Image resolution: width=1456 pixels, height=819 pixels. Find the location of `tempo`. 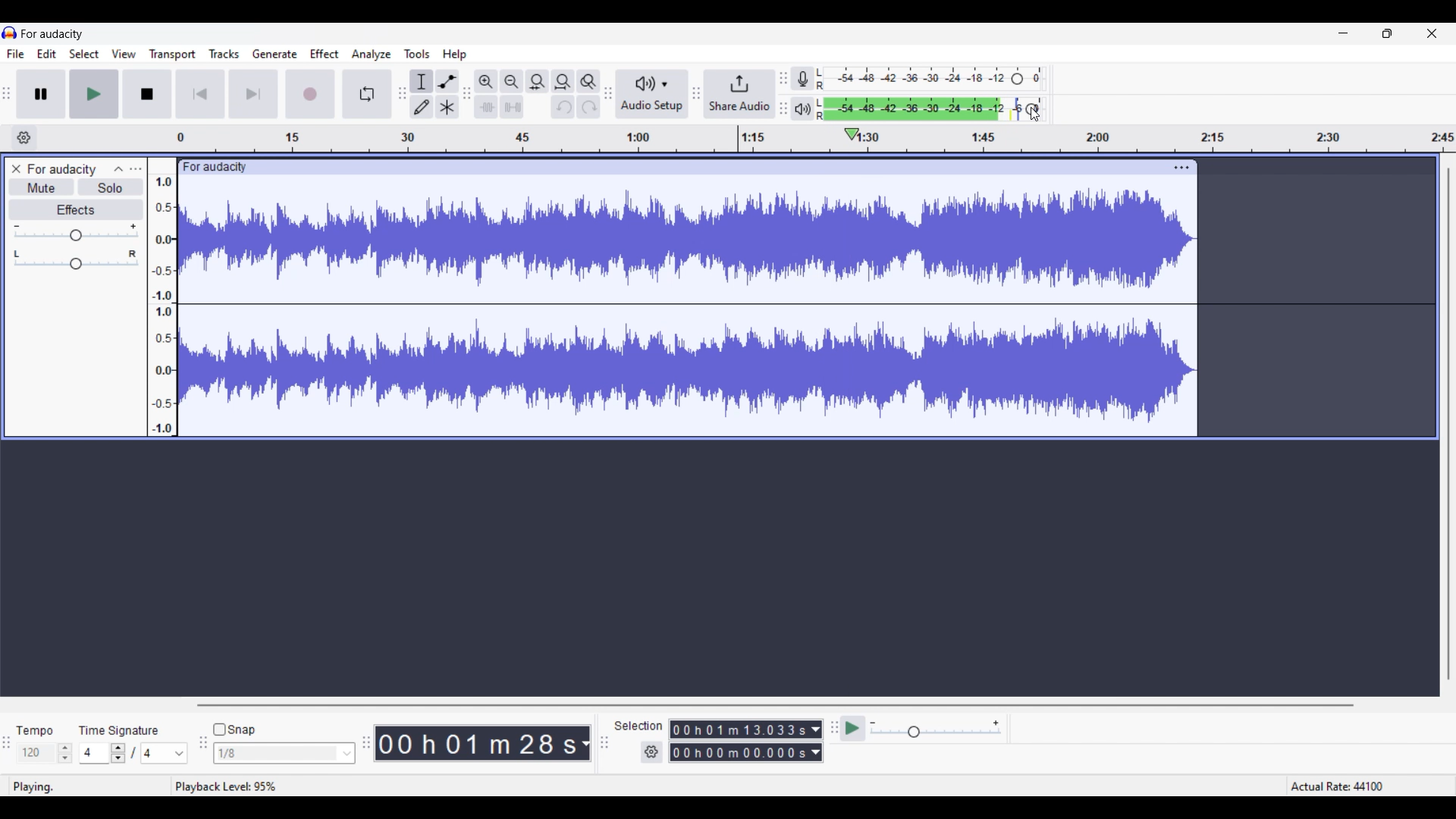

tempo is located at coordinates (36, 731).